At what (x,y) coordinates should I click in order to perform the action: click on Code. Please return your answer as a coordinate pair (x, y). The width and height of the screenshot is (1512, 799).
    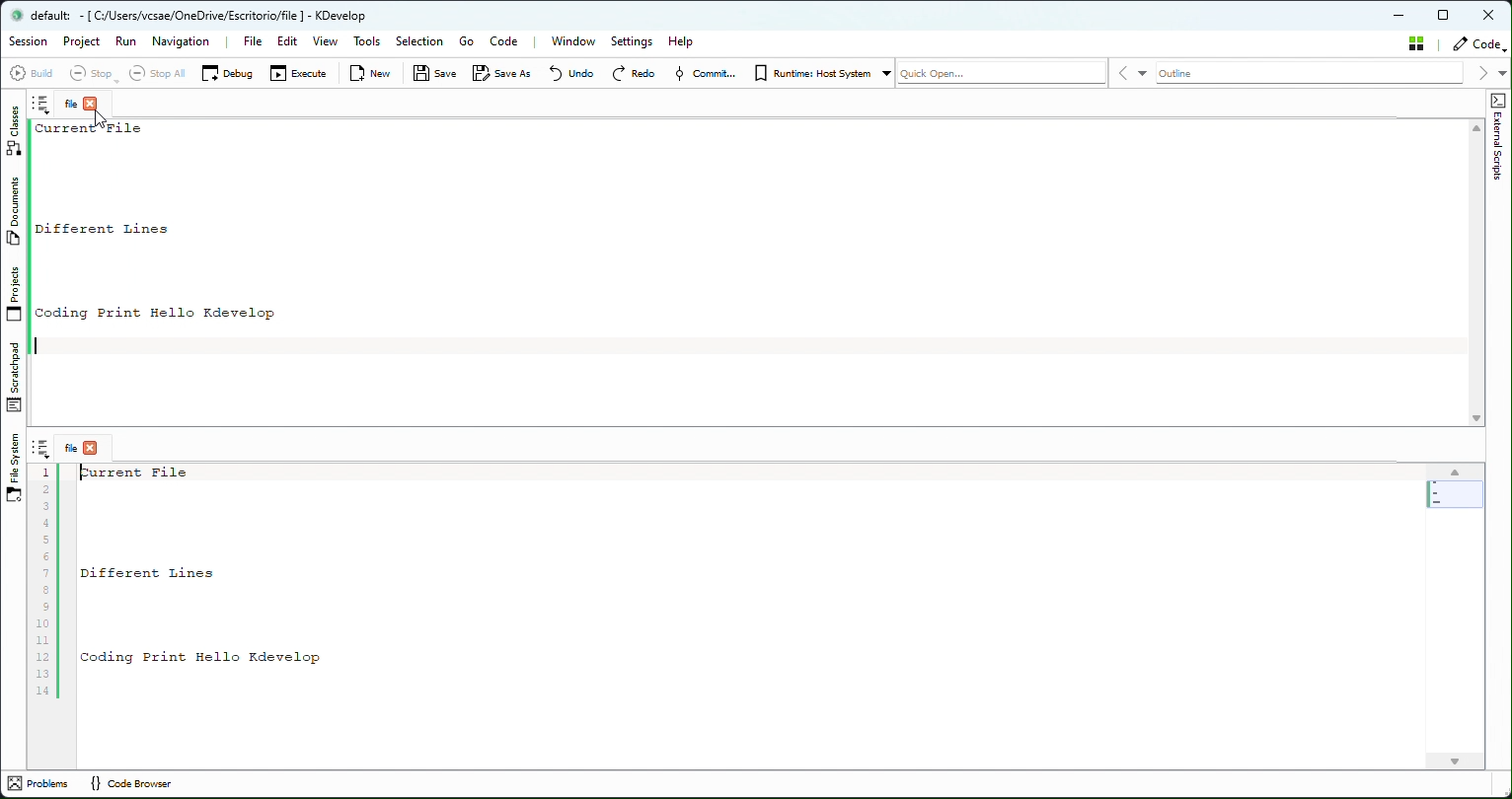
    Looking at the image, I should click on (1478, 43).